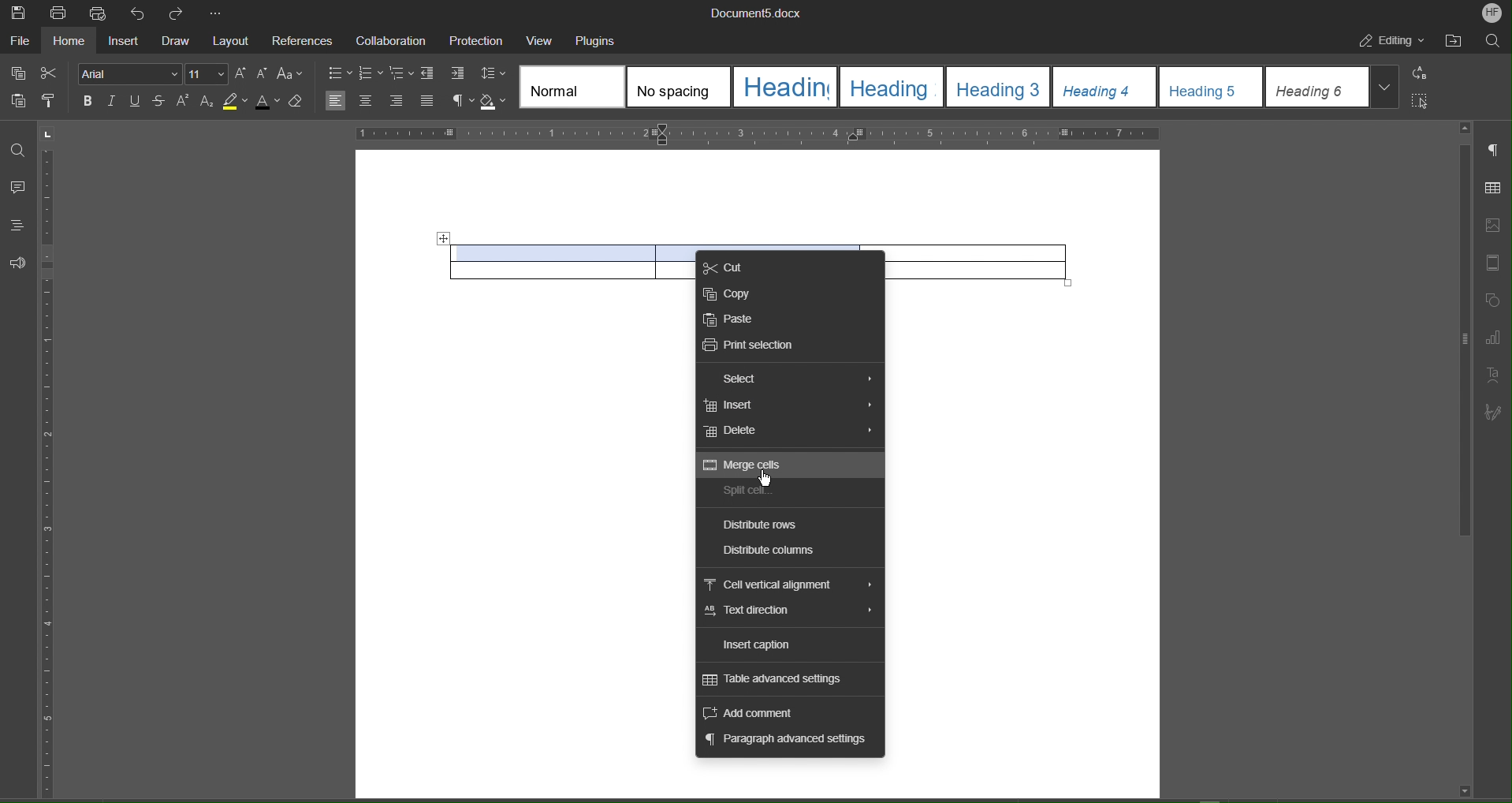 Image resolution: width=1512 pixels, height=803 pixels. Describe the element at coordinates (462, 102) in the screenshot. I see `Nonprinting characters` at that location.